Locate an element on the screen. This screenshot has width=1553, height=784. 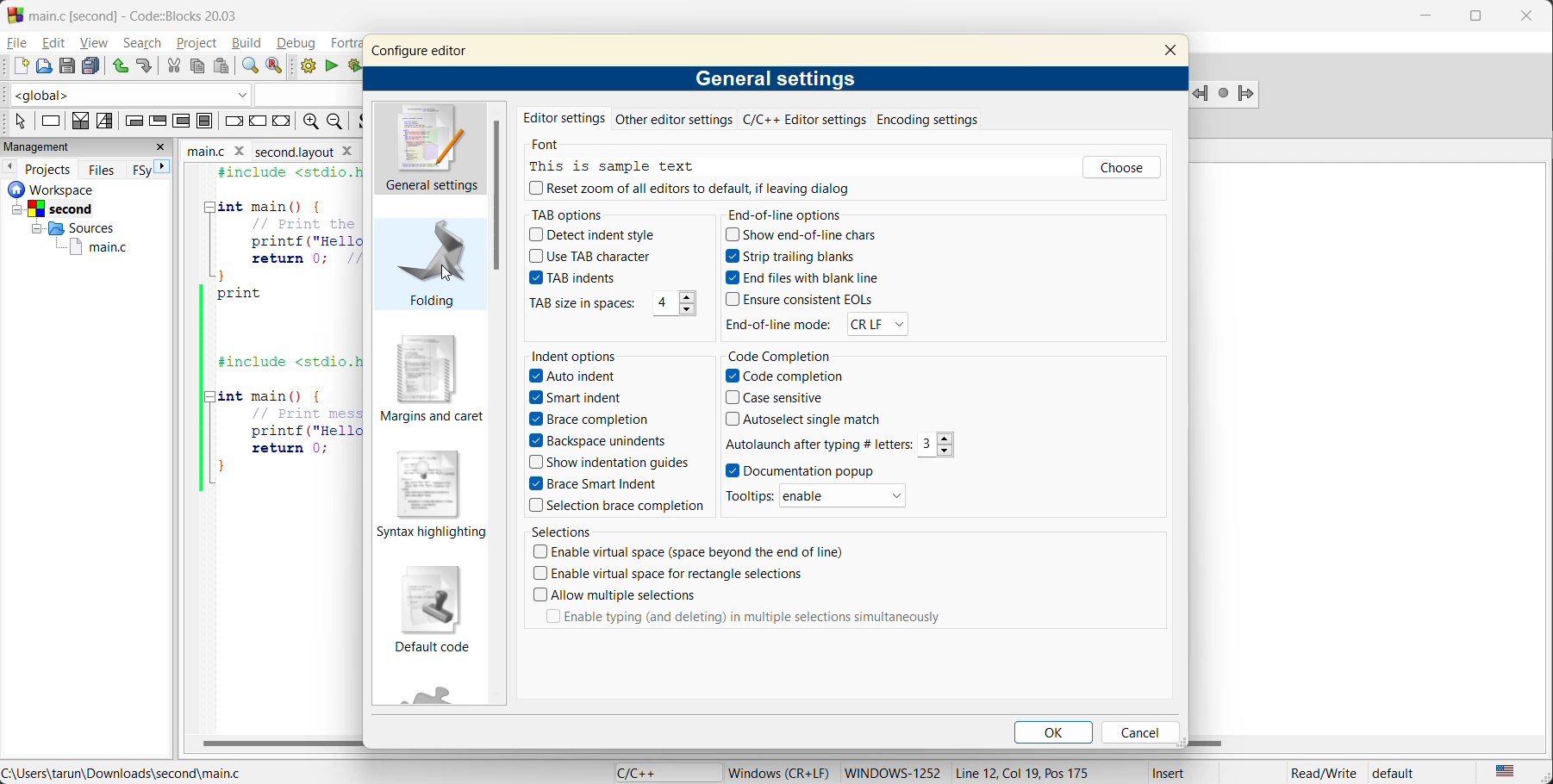
detect indent style is located at coordinates (593, 236).